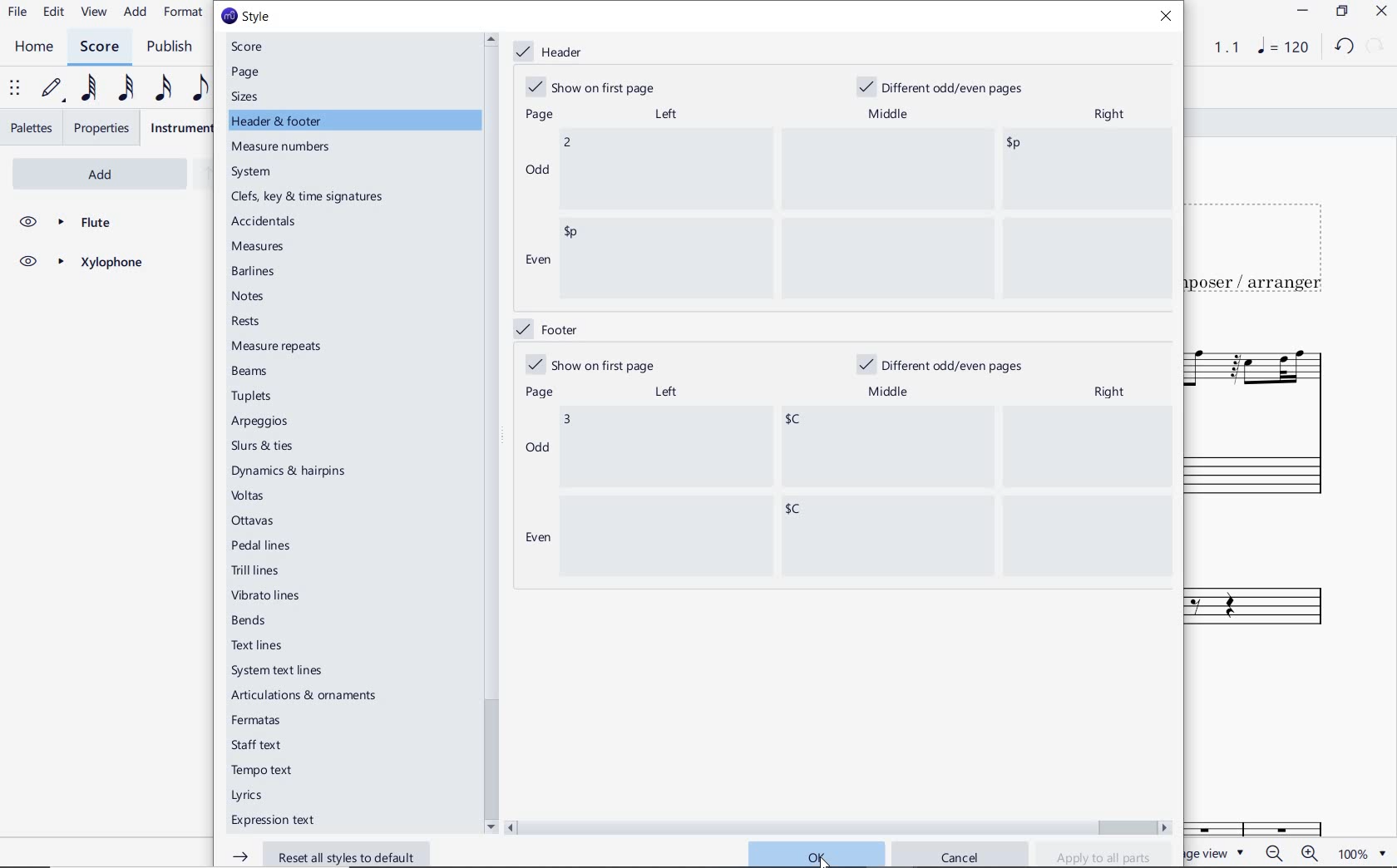  What do you see at coordinates (828, 859) in the screenshot?
I see `cursor` at bounding box center [828, 859].